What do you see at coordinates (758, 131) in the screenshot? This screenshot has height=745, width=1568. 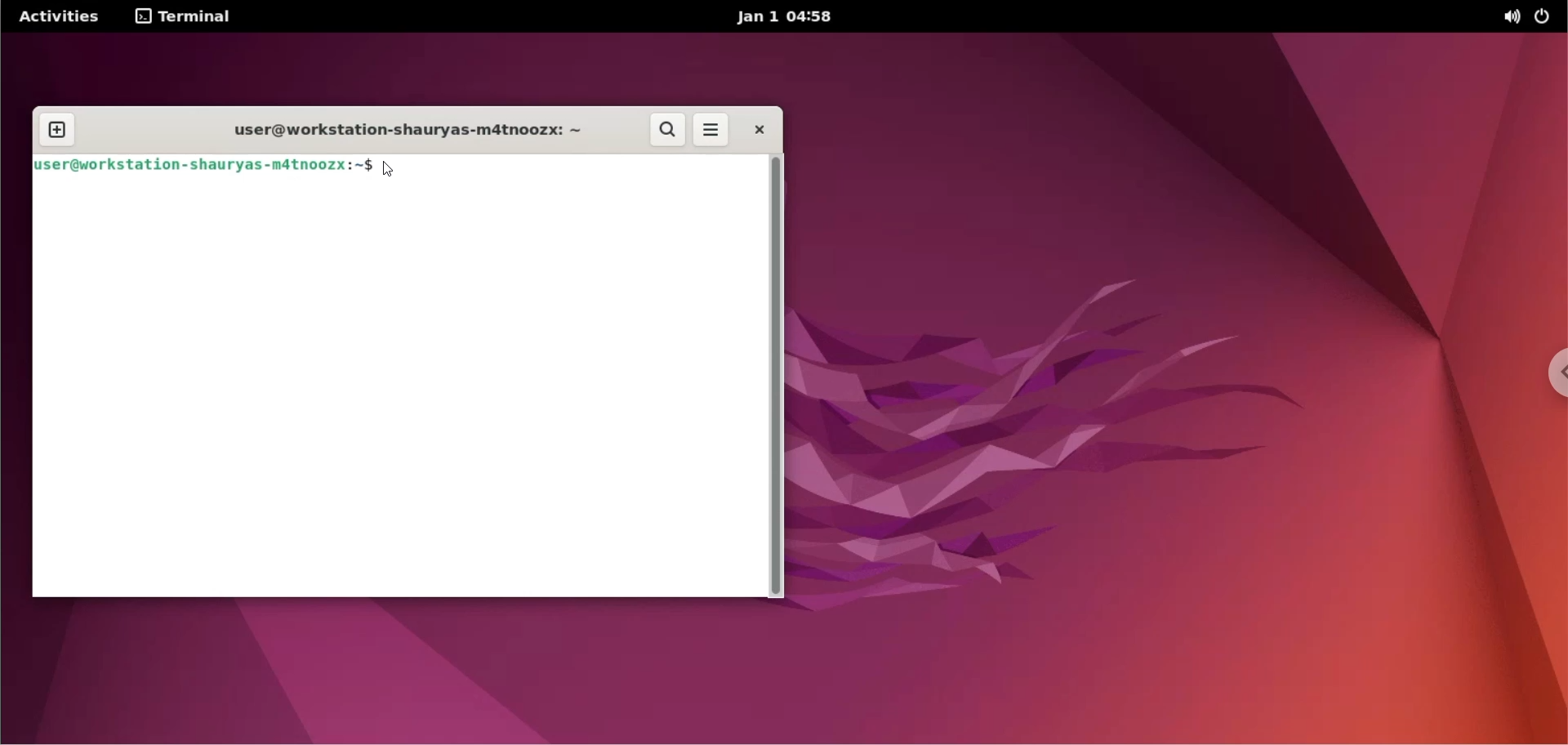 I see `close` at bounding box center [758, 131].